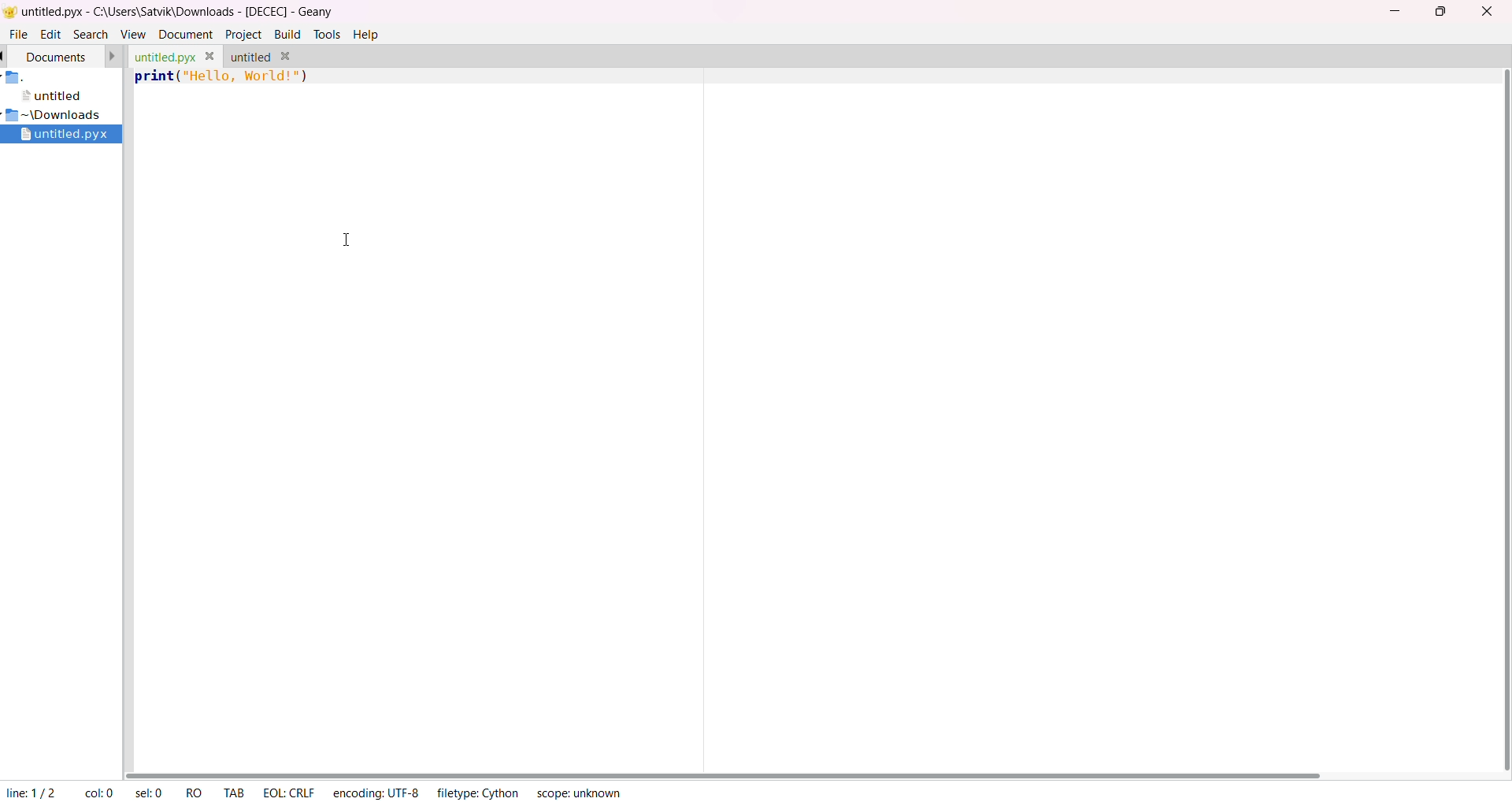 The image size is (1512, 802). I want to click on tools, so click(328, 35).